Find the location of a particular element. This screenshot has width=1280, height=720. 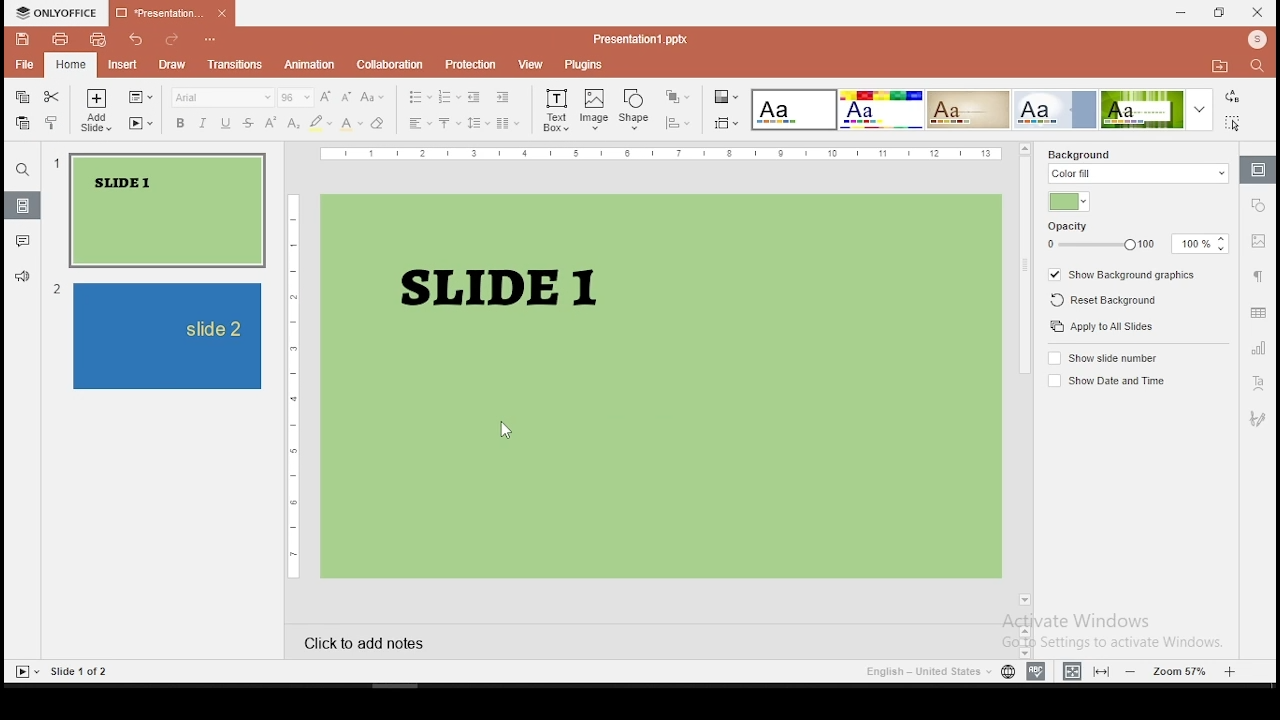

fit to width is located at coordinates (1101, 670).